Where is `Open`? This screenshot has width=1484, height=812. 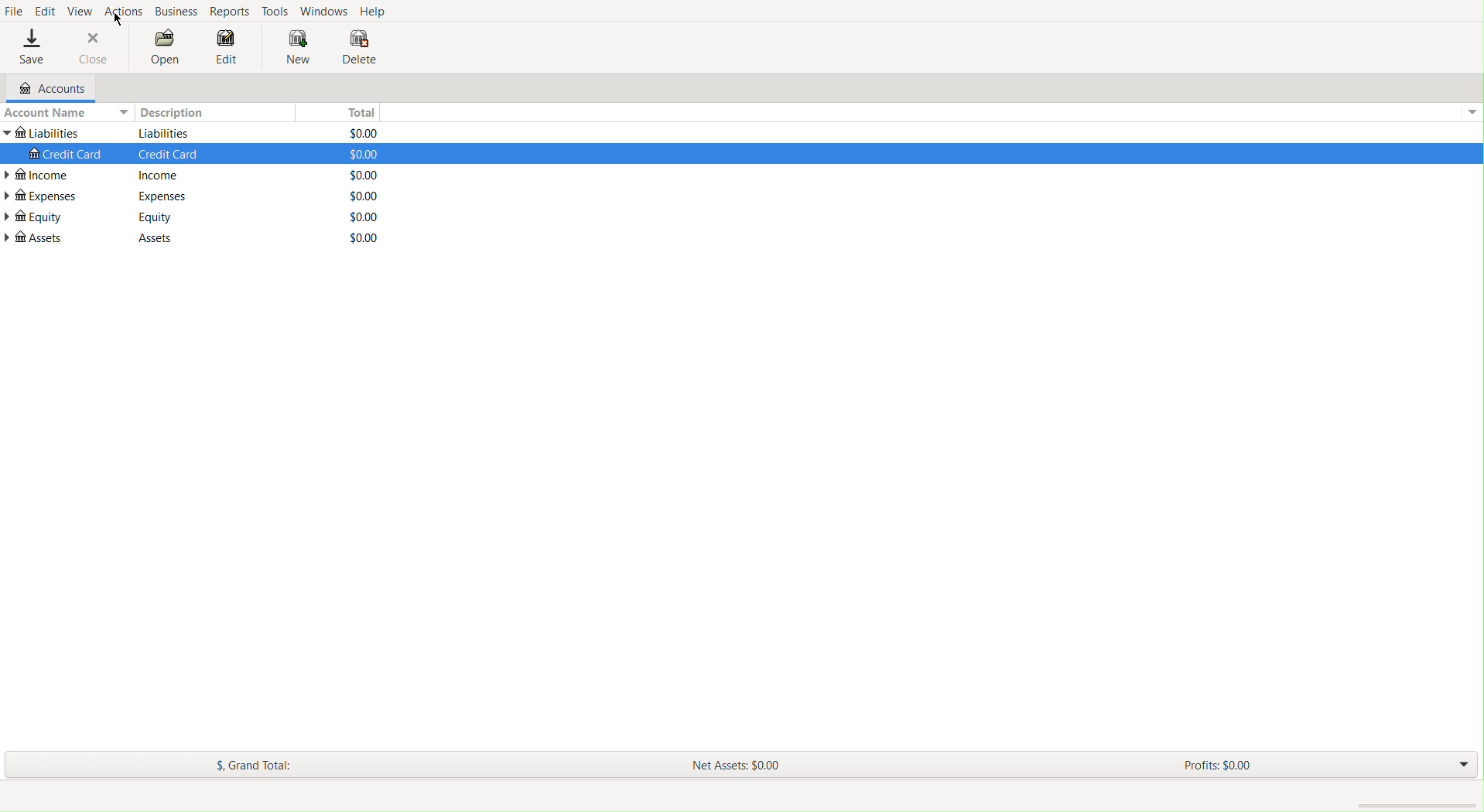
Open is located at coordinates (166, 46).